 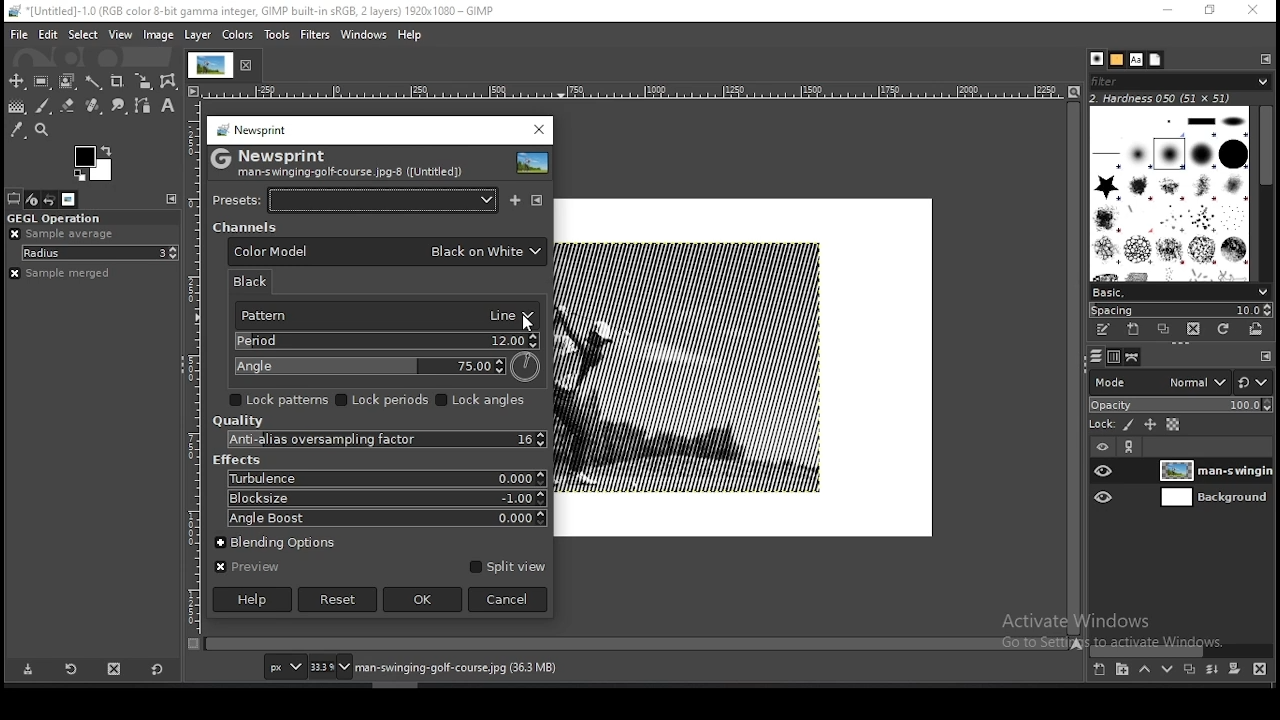 I want to click on turbulence, so click(x=386, y=479).